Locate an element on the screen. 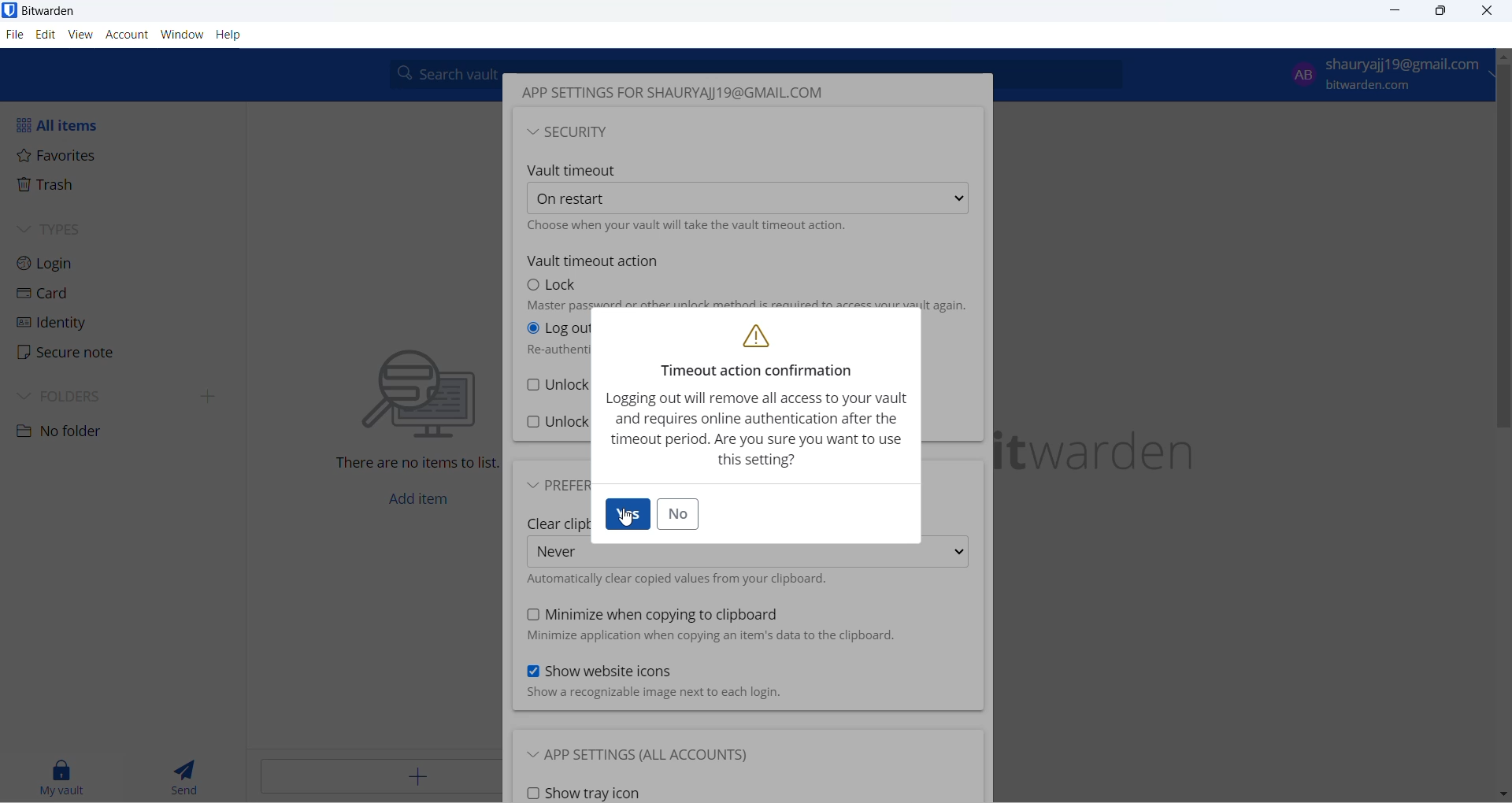 Image resolution: width=1512 pixels, height=803 pixels. show tray icon checkbox is located at coordinates (621, 791).